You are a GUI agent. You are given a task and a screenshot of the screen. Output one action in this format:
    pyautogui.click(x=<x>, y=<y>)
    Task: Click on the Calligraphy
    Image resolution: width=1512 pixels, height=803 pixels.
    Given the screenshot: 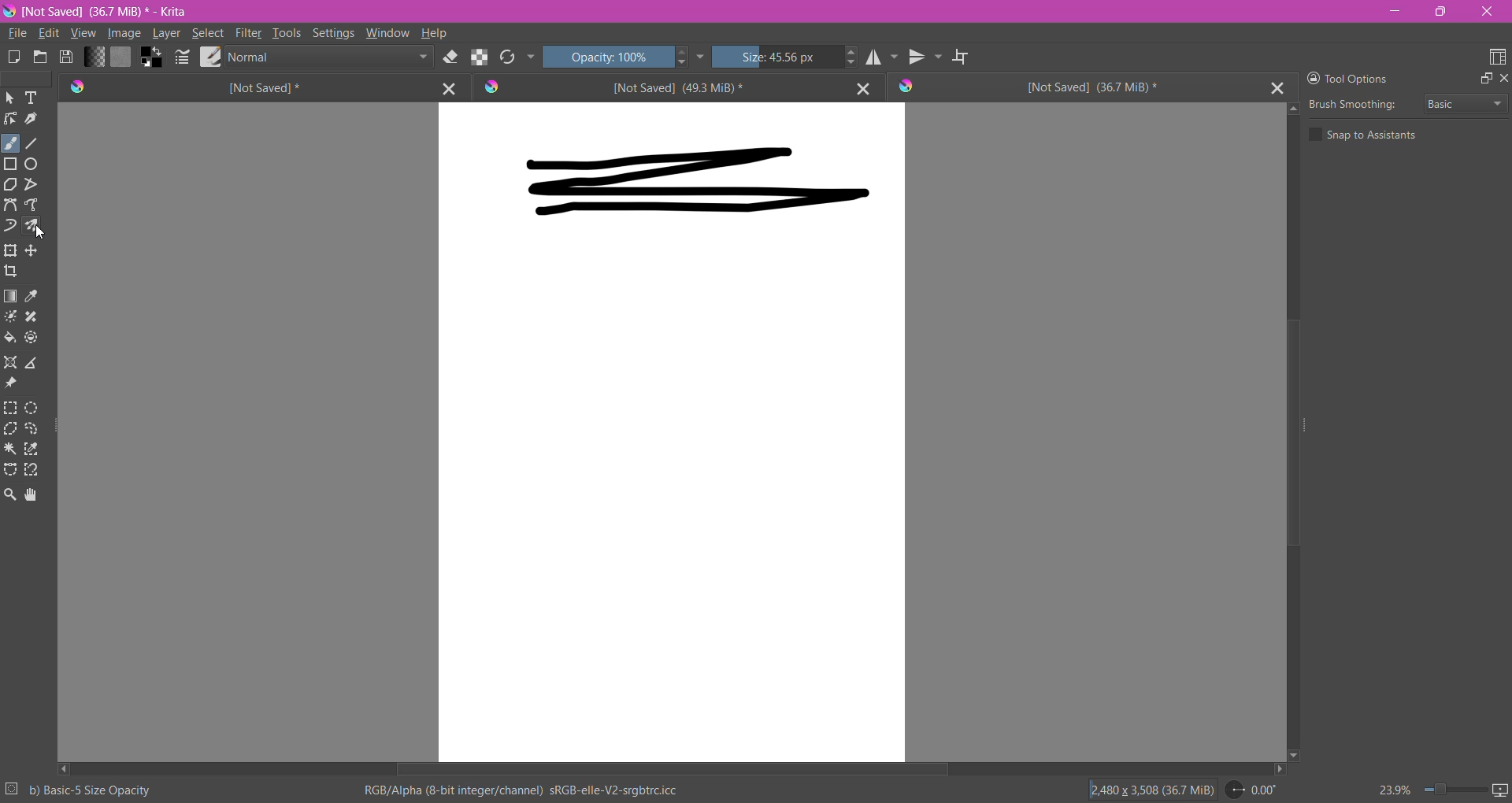 What is the action you would take?
    pyautogui.click(x=34, y=118)
    